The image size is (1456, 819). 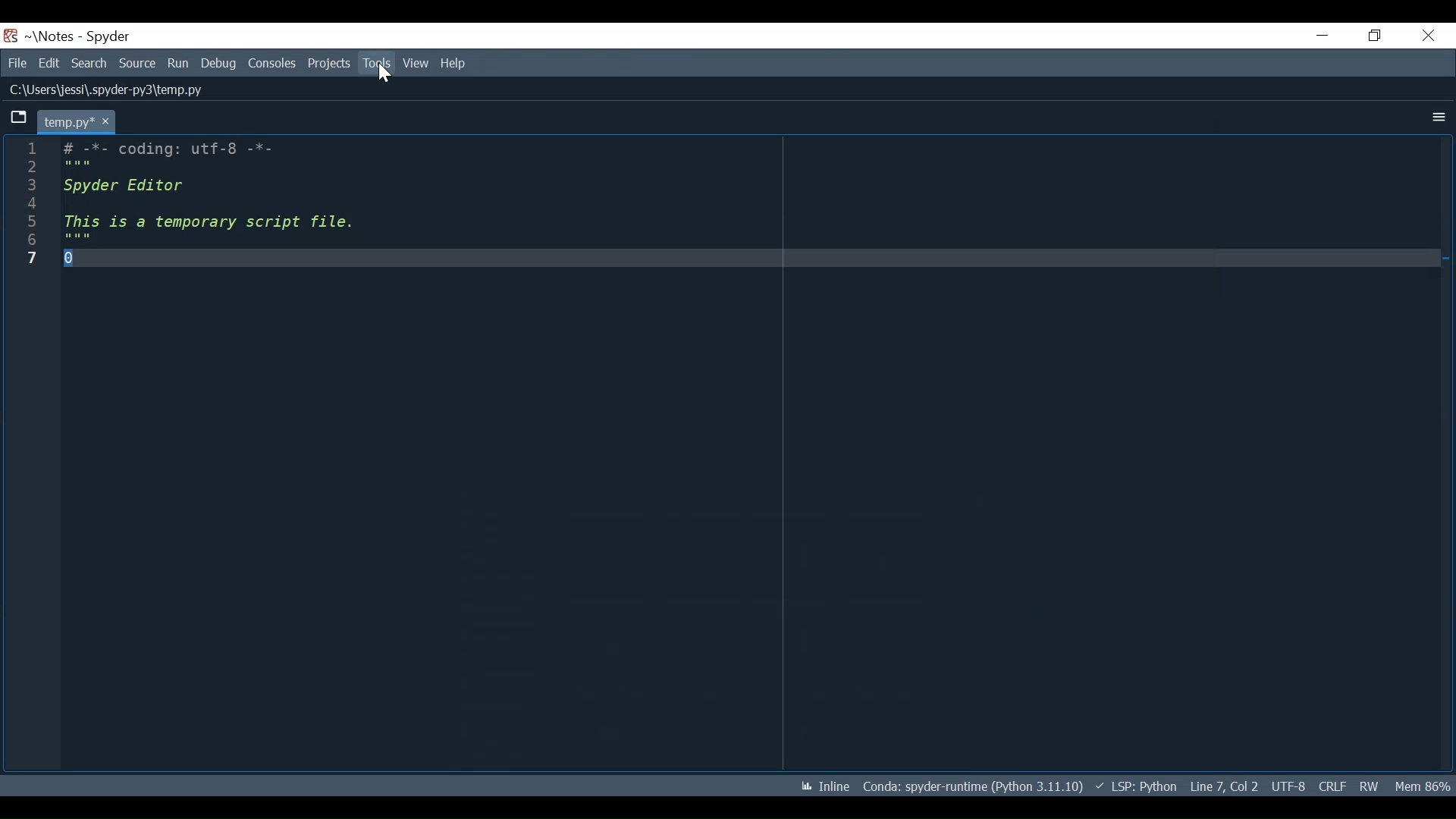 What do you see at coordinates (47, 63) in the screenshot?
I see `Edit` at bounding box center [47, 63].